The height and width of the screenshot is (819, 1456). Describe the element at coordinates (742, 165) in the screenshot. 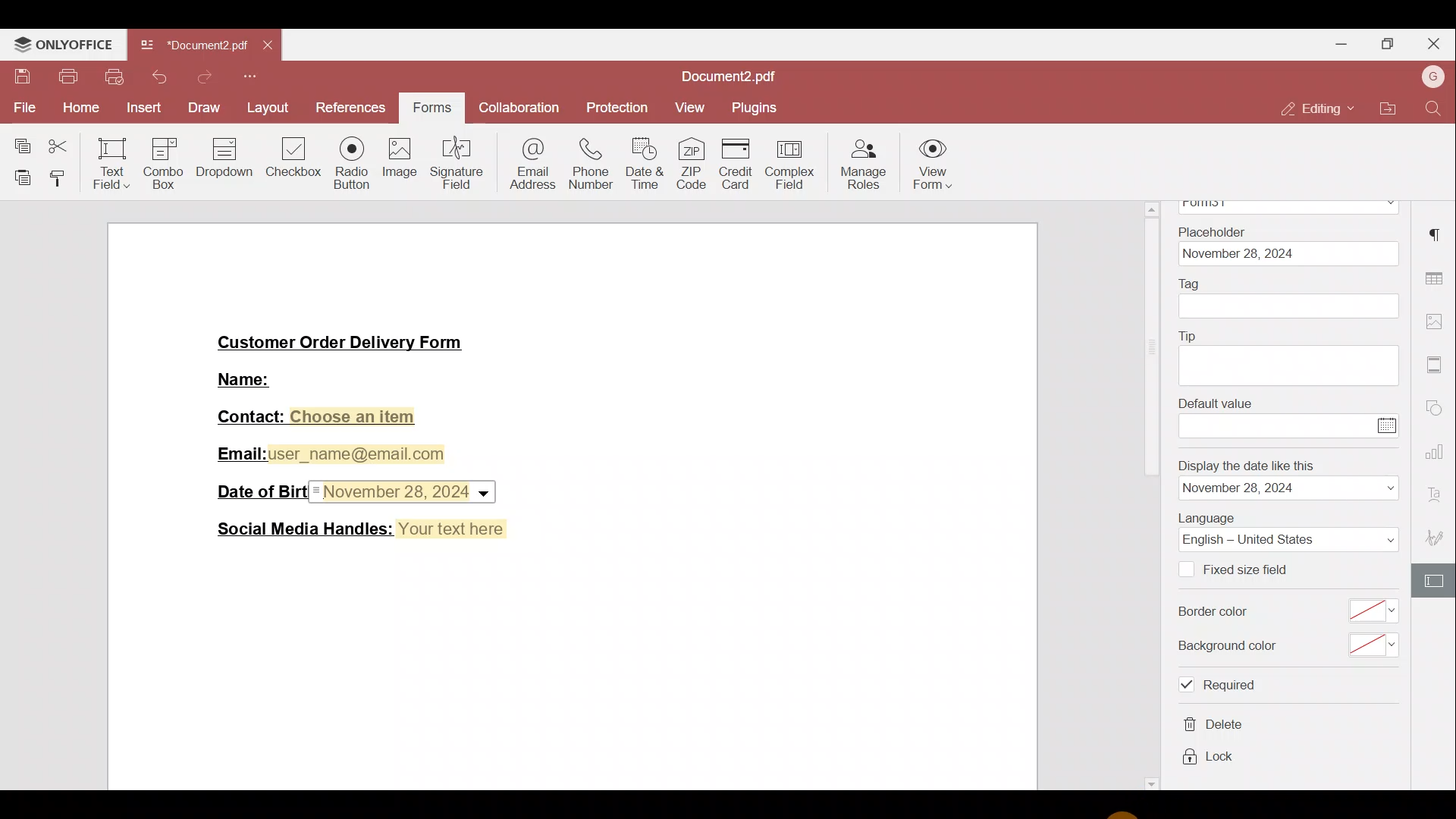

I see `Credit card` at that location.